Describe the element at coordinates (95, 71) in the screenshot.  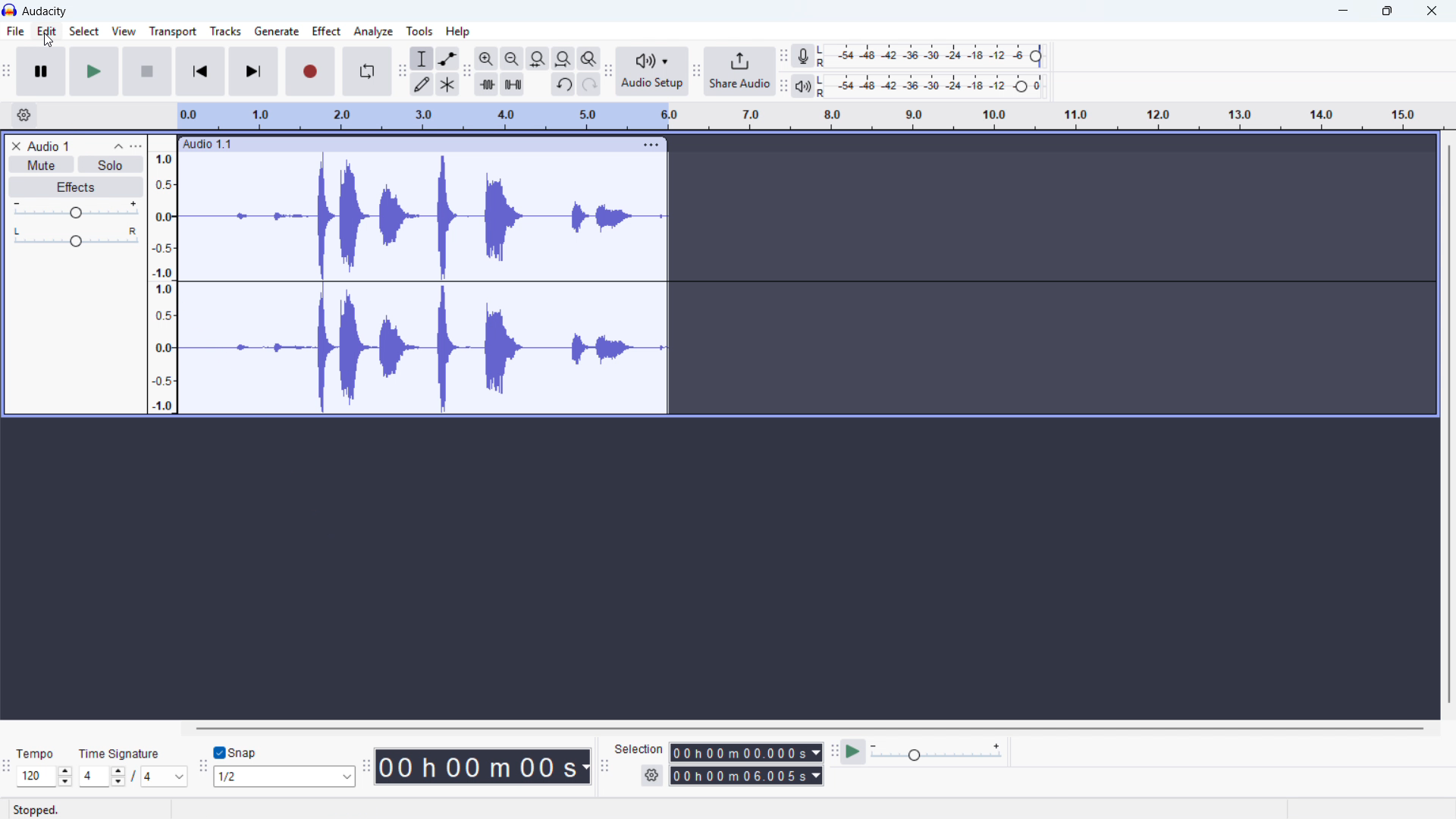
I see `play` at that location.